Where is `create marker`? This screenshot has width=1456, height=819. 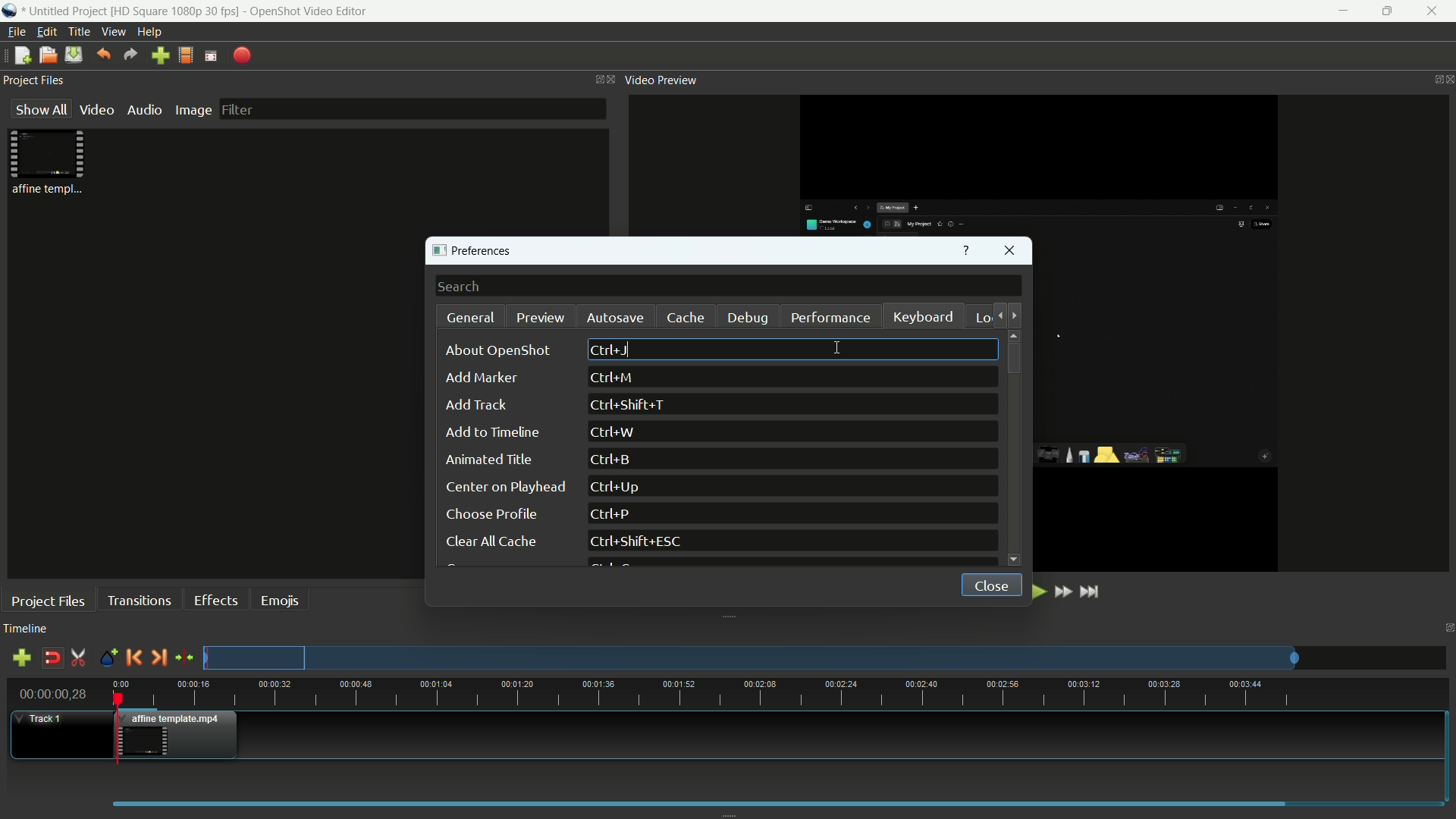 create marker is located at coordinates (105, 658).